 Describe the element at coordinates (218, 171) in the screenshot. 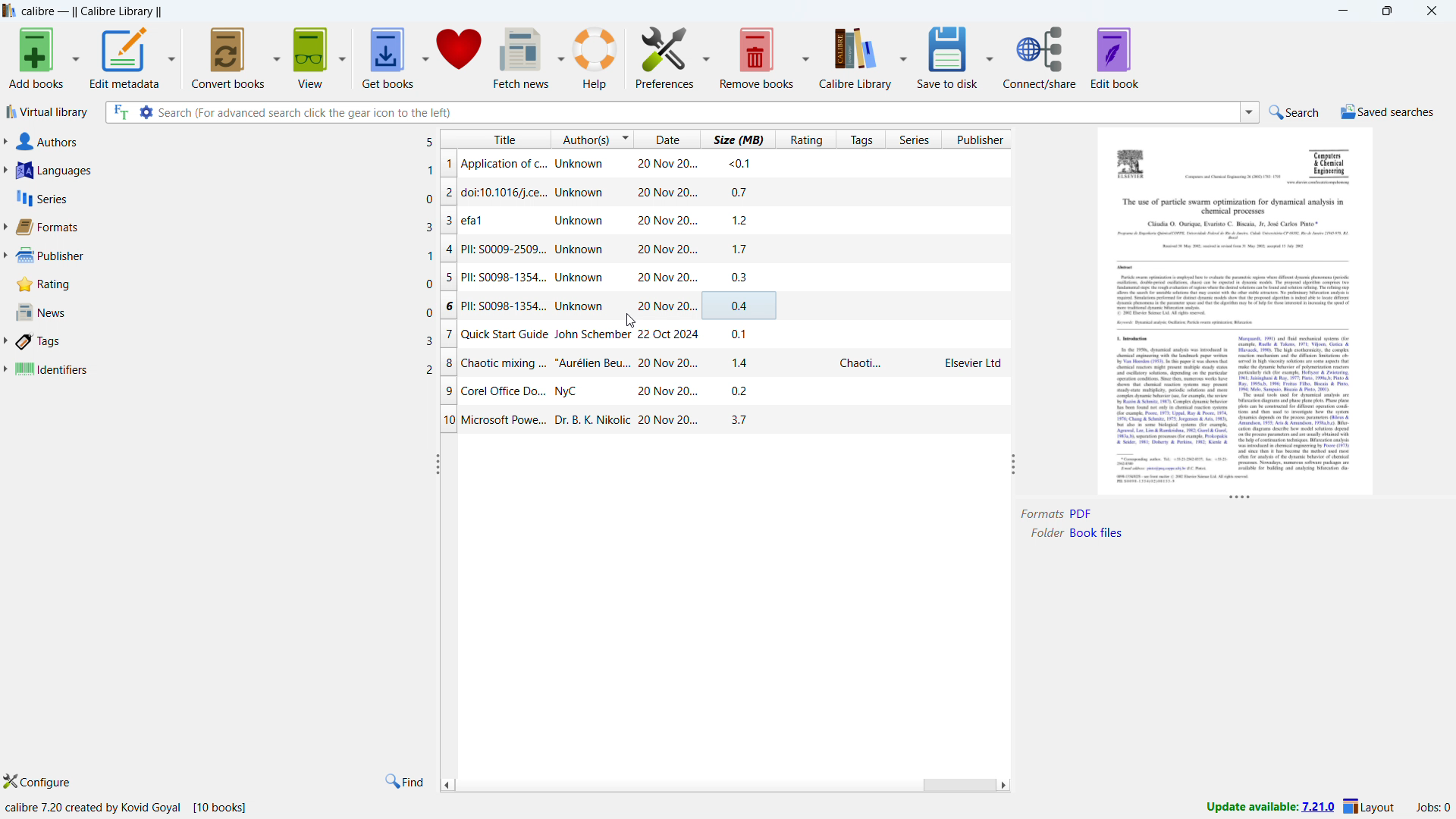

I see `languages` at that location.